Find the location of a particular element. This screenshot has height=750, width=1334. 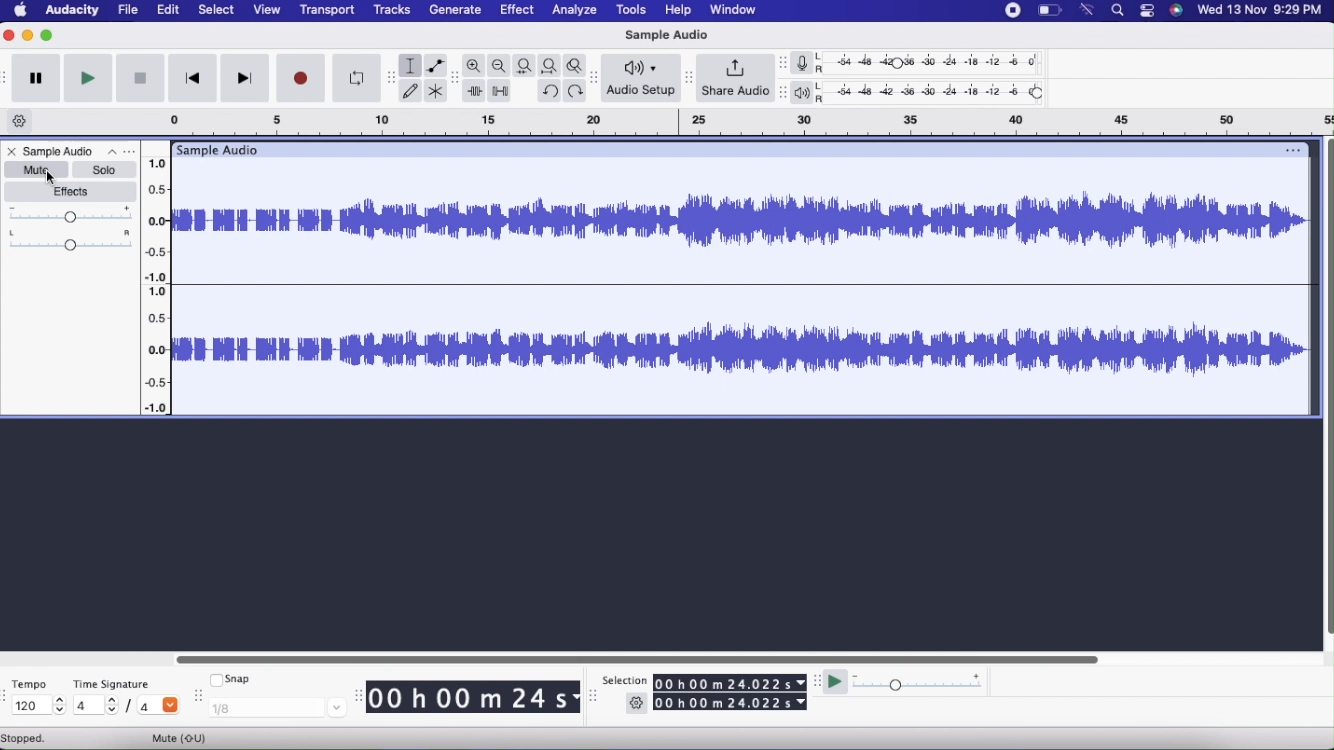

1/8 is located at coordinates (274, 710).